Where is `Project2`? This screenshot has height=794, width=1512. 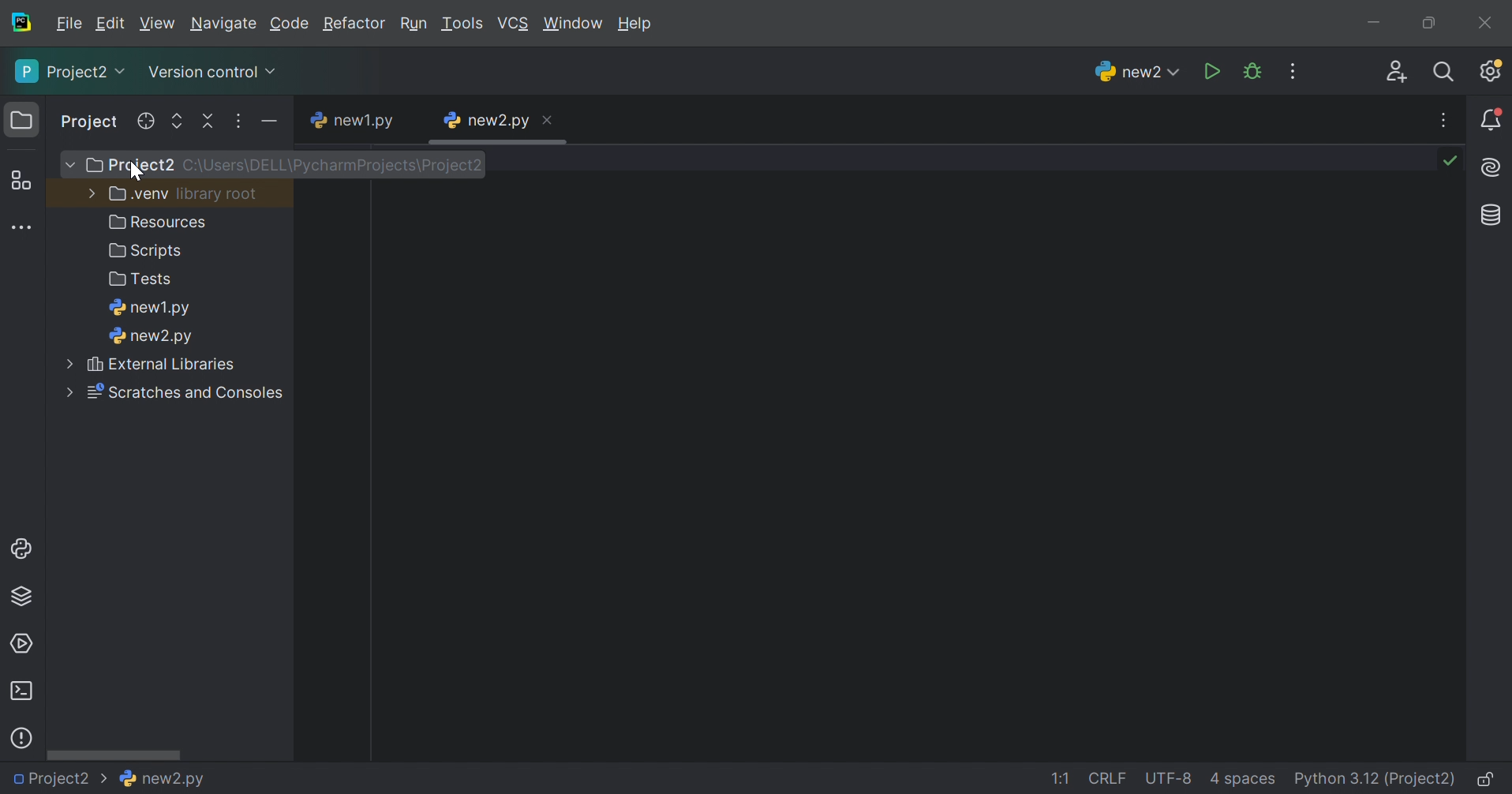
Project2 is located at coordinates (128, 167).